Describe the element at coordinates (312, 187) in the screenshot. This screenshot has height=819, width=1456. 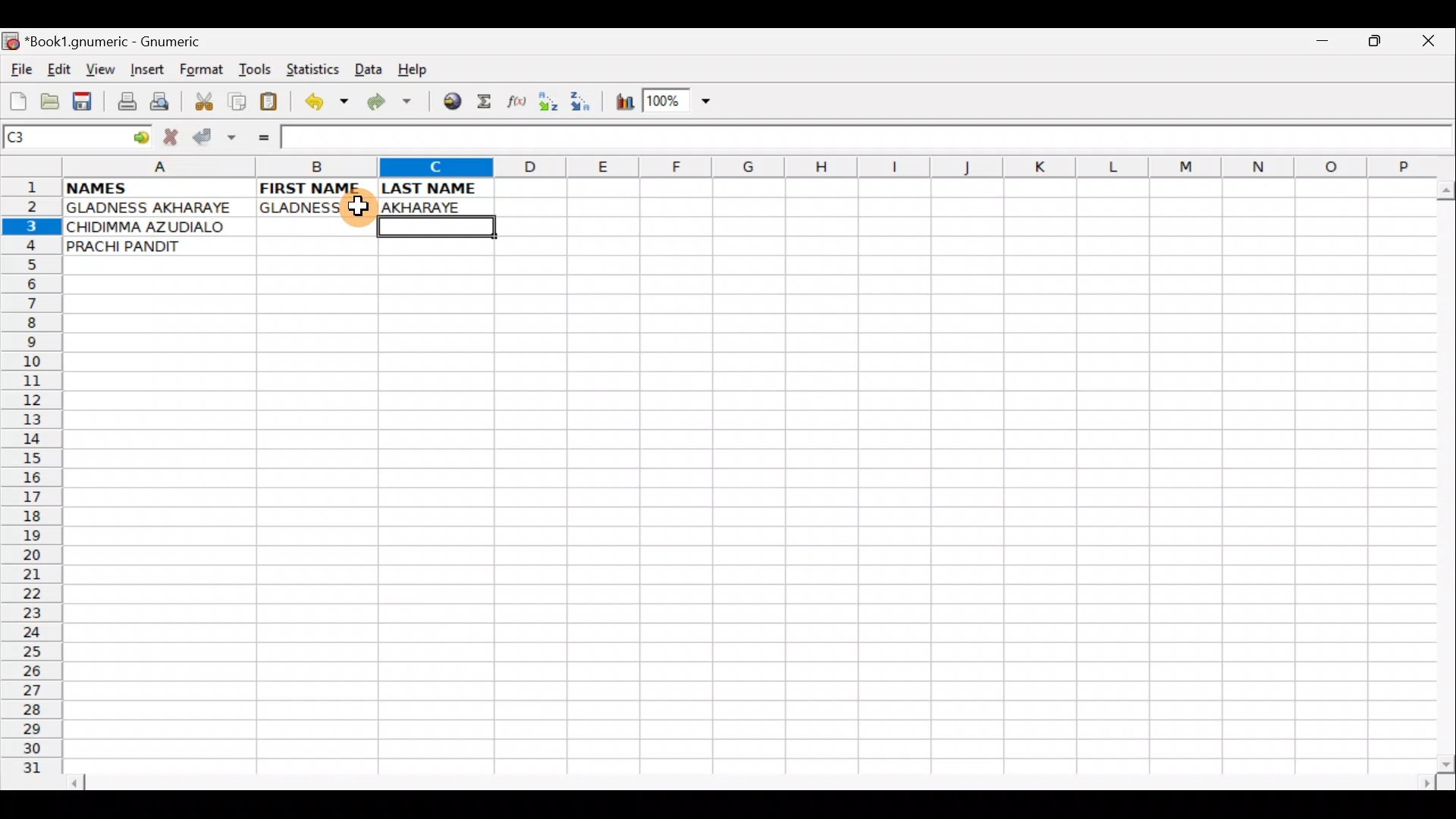
I see `FIRST NAME` at that location.